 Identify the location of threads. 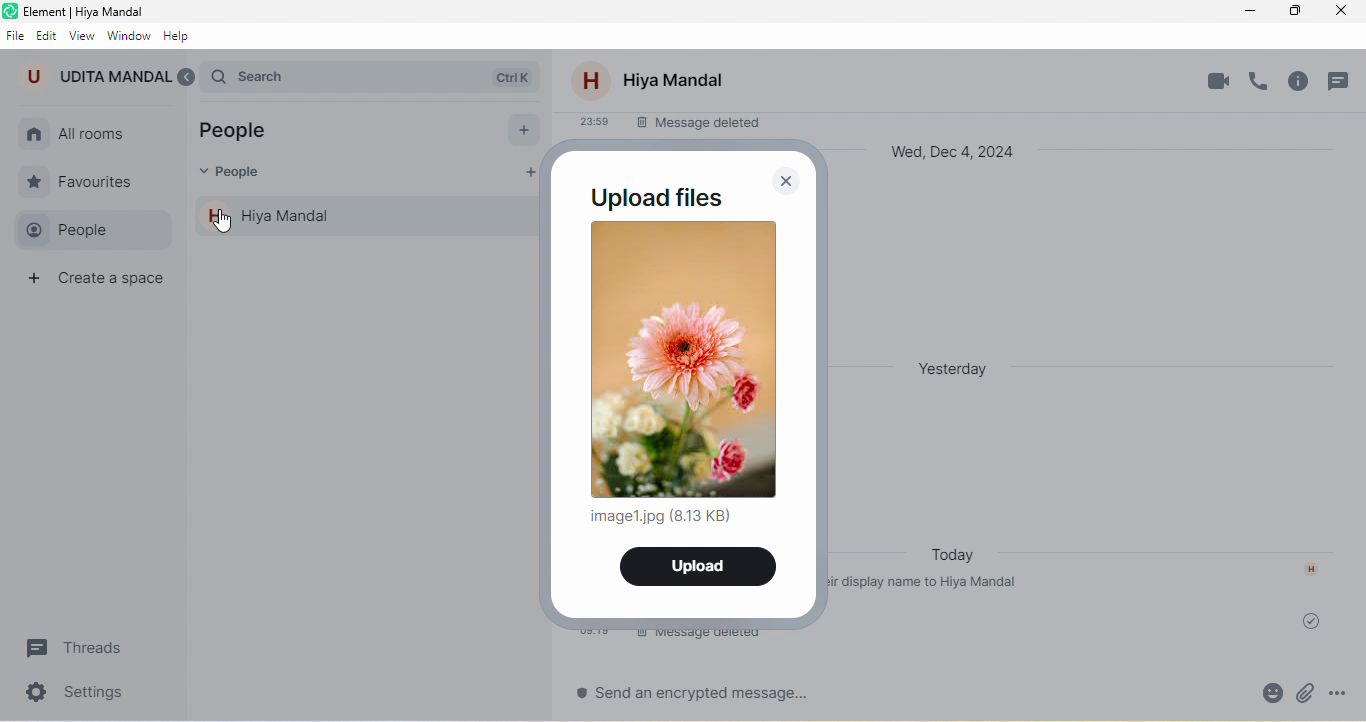
(85, 647).